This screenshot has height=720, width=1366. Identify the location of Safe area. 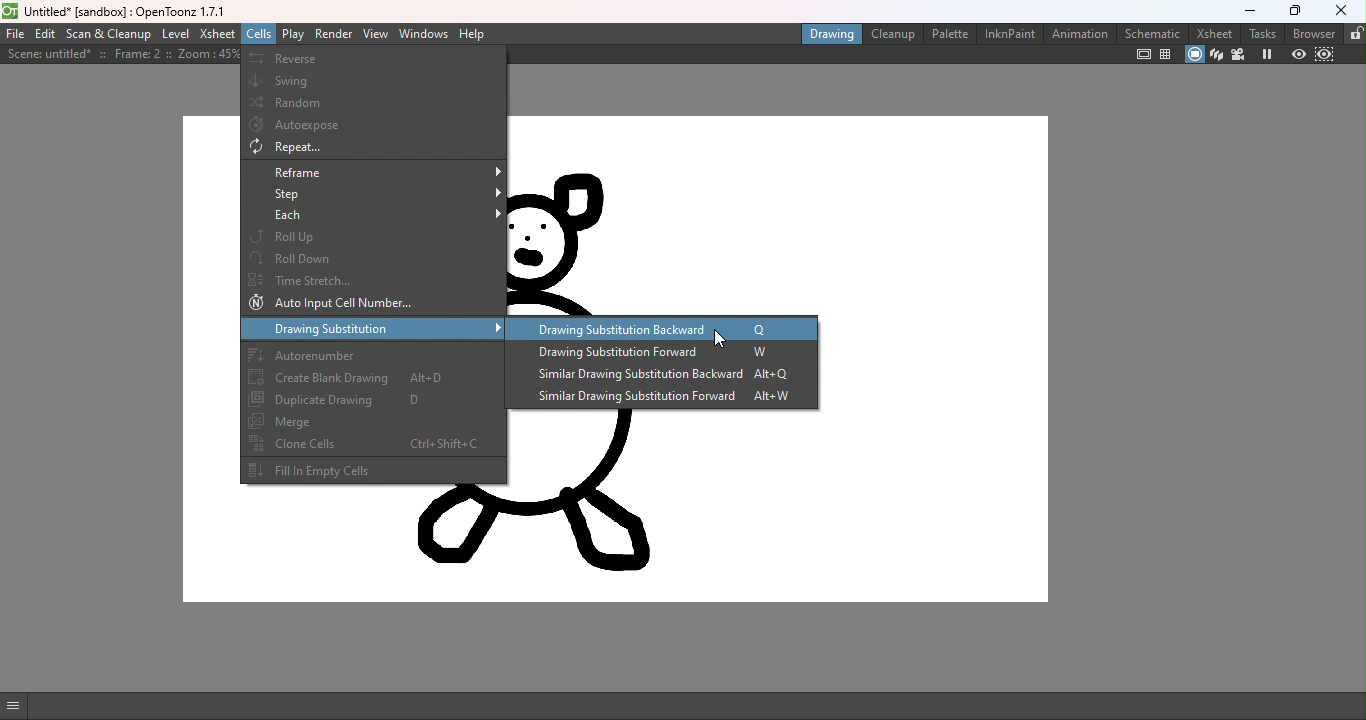
(1142, 54).